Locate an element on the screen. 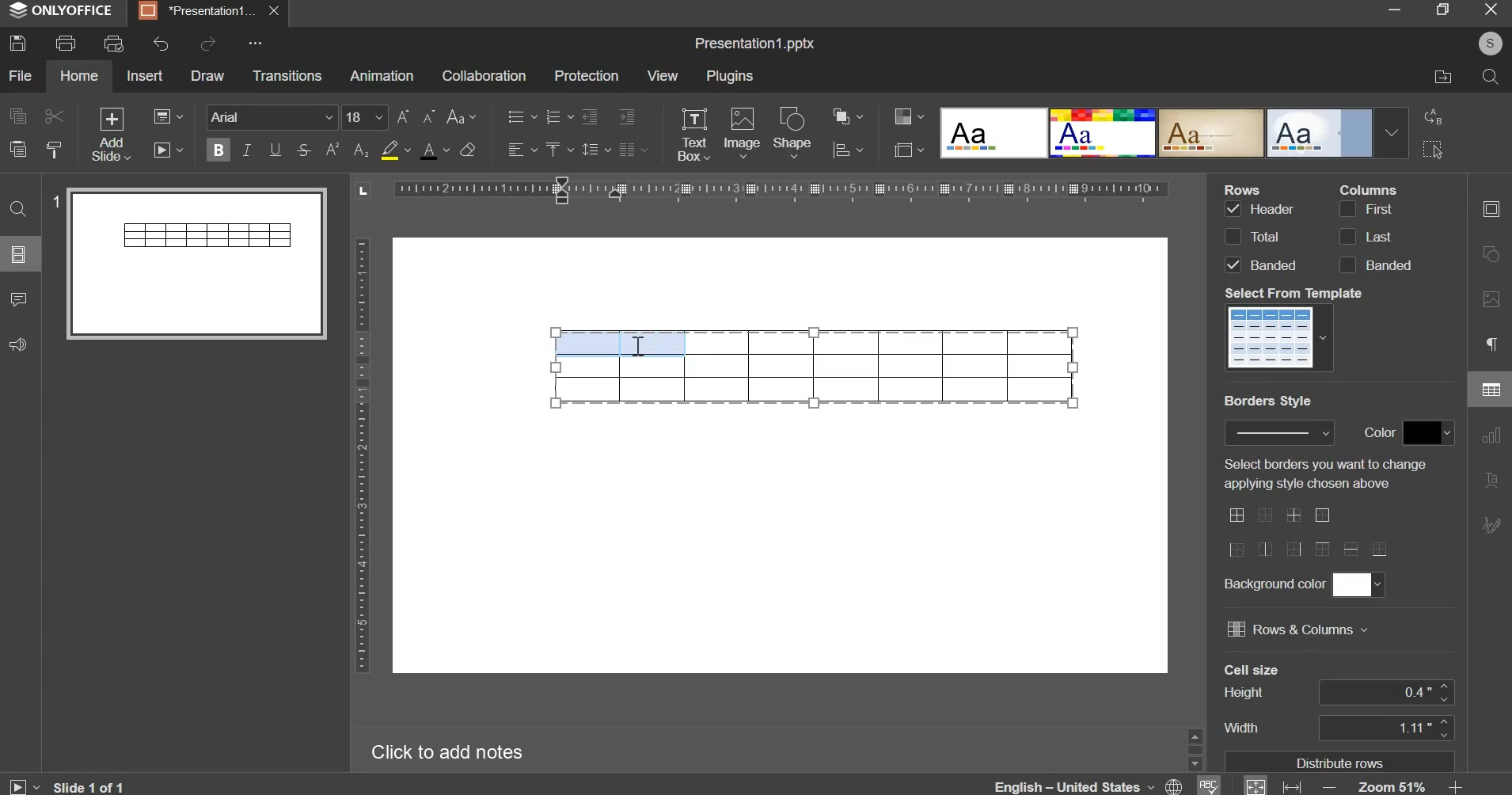 This screenshot has width=1512, height=795. vertical scale is located at coordinates (361, 455).